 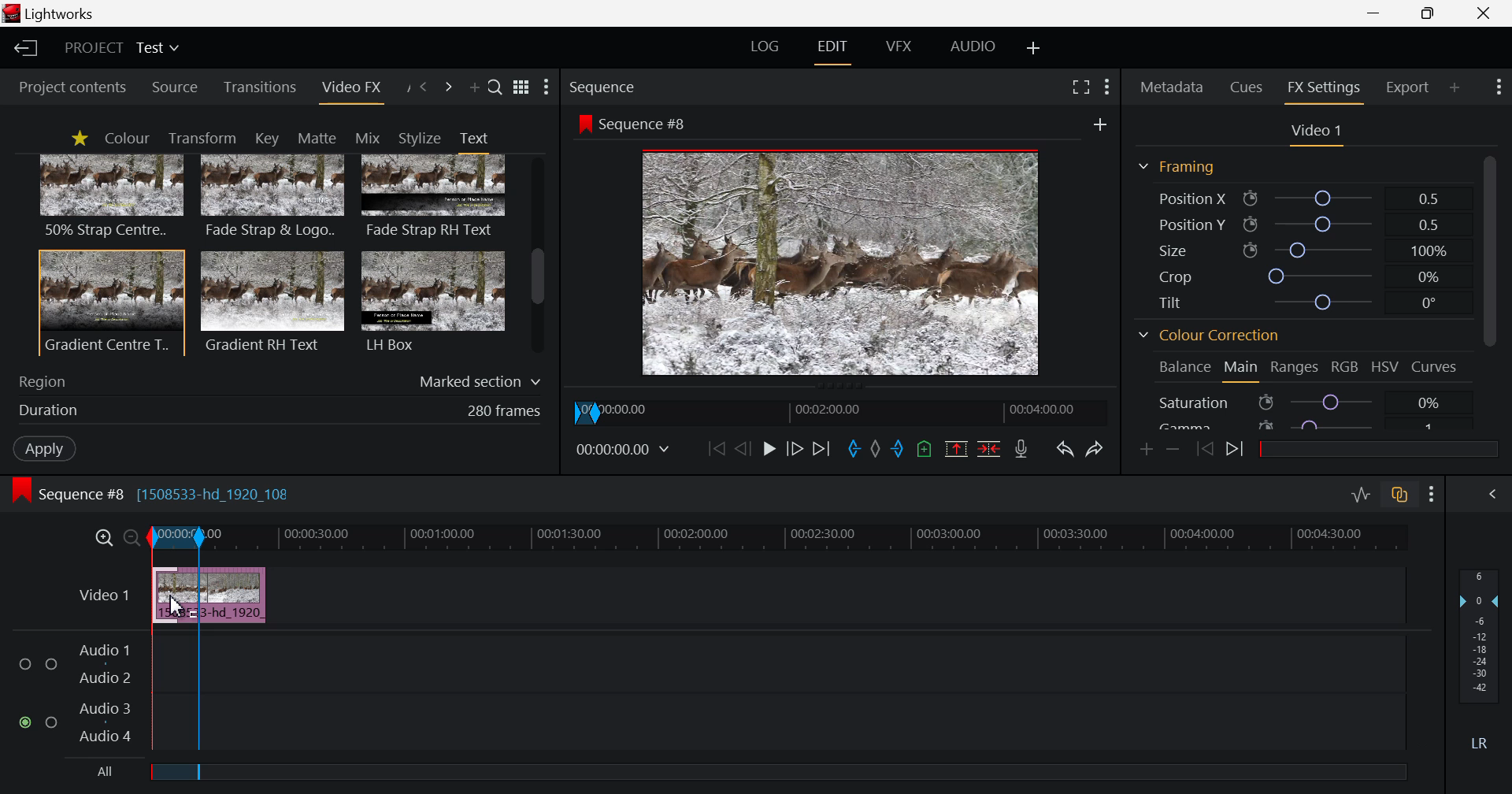 I want to click on Search, so click(x=495, y=89).